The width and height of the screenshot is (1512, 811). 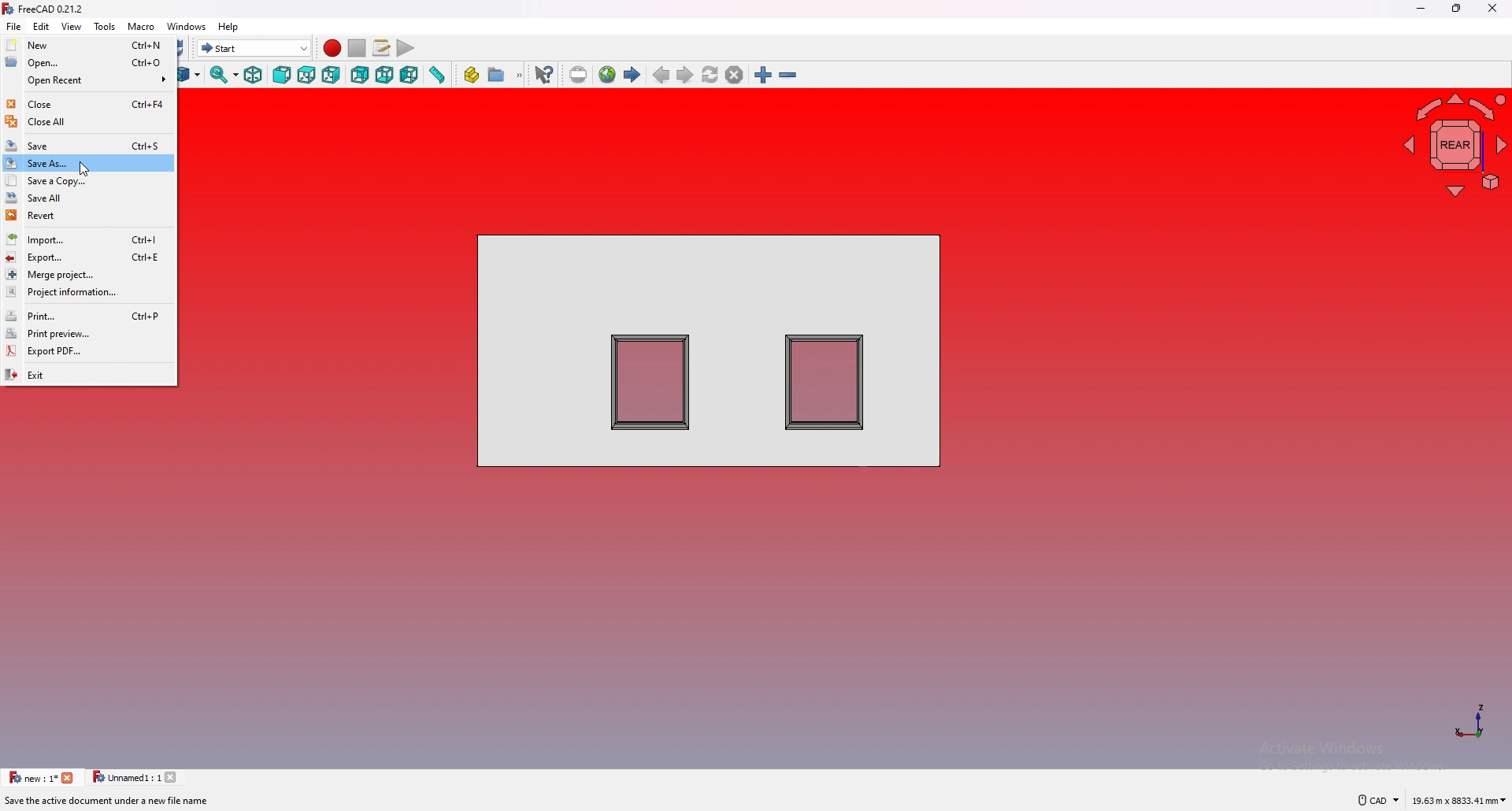 What do you see at coordinates (88, 104) in the screenshot?
I see `close` at bounding box center [88, 104].